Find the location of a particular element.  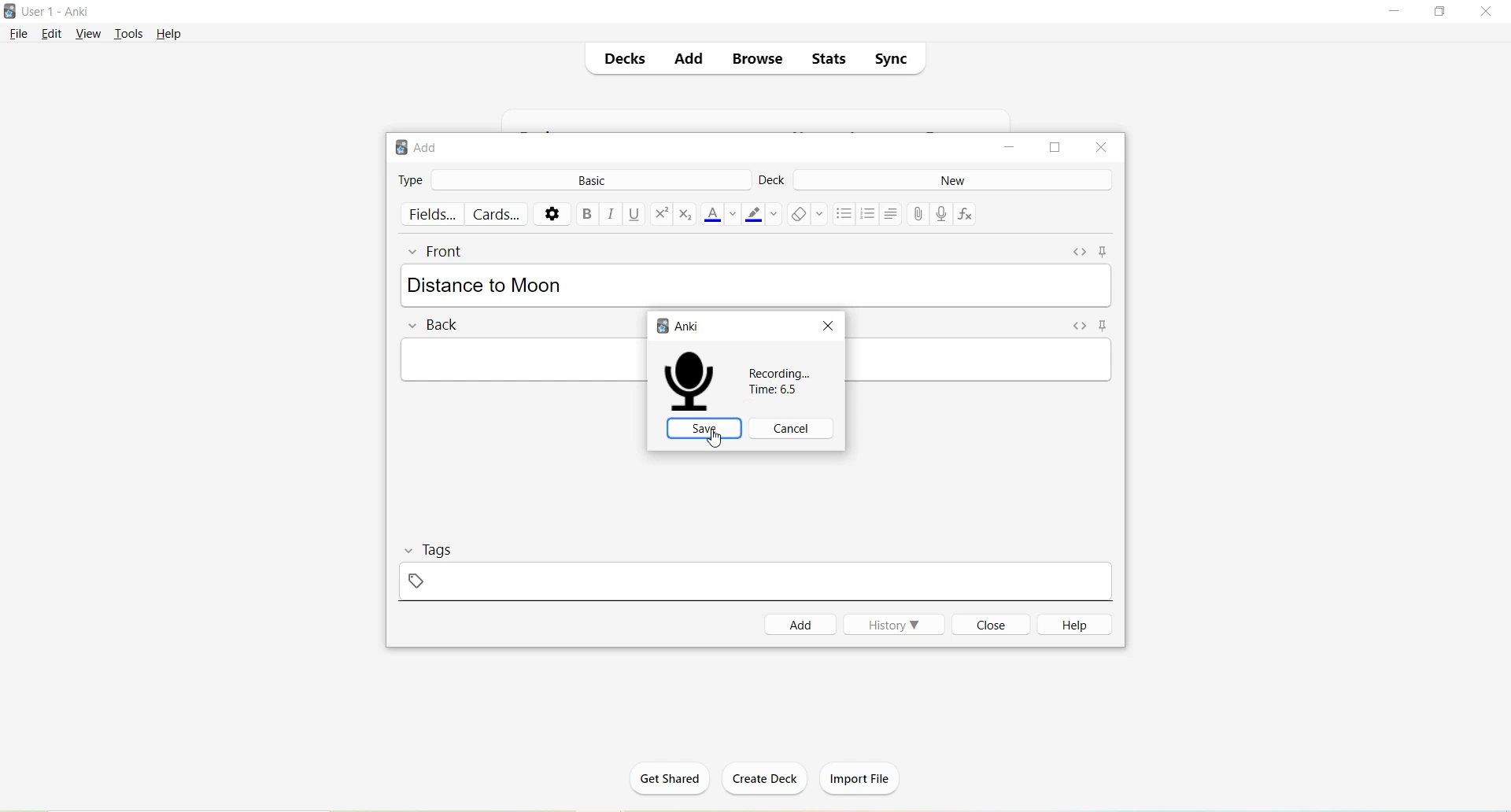

View is located at coordinates (89, 35).